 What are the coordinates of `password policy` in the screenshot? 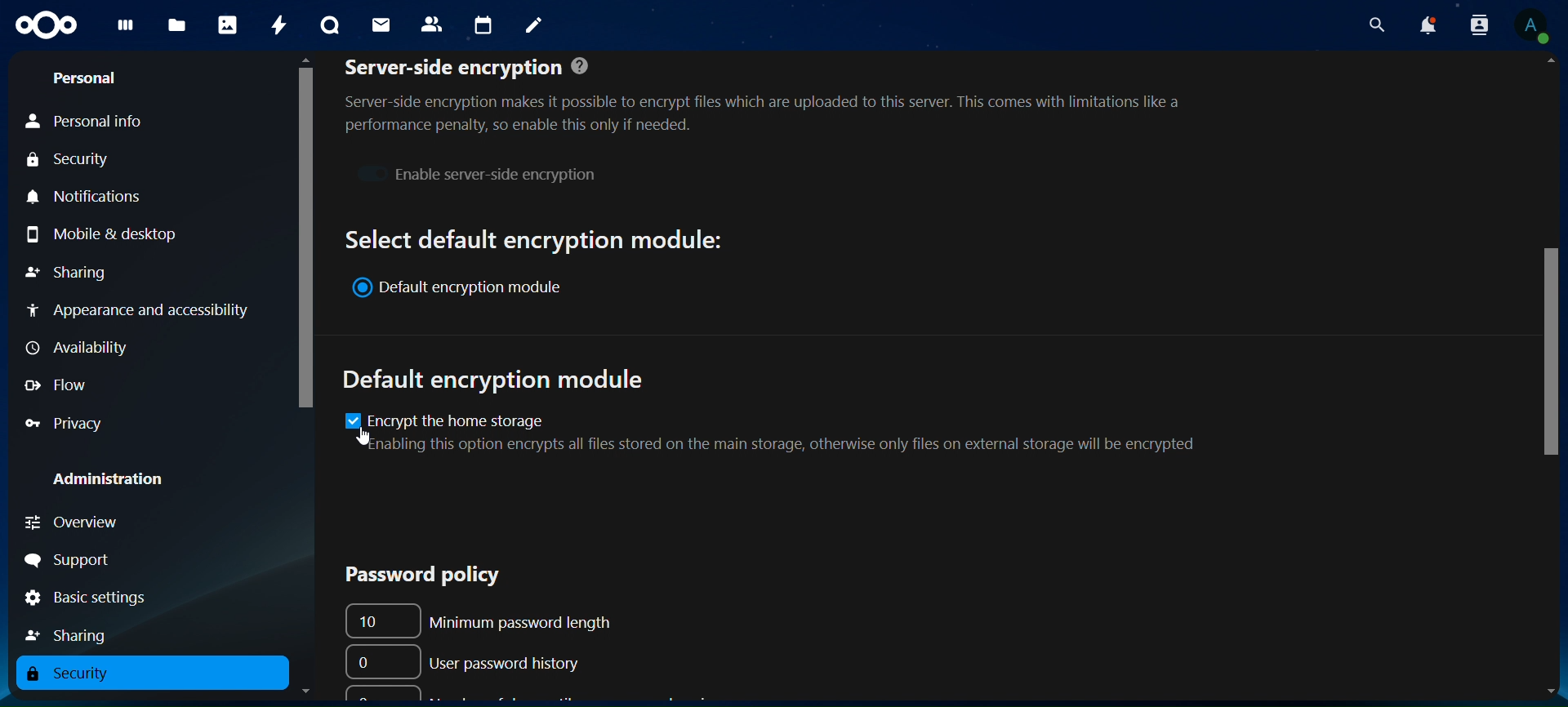 It's located at (411, 574).